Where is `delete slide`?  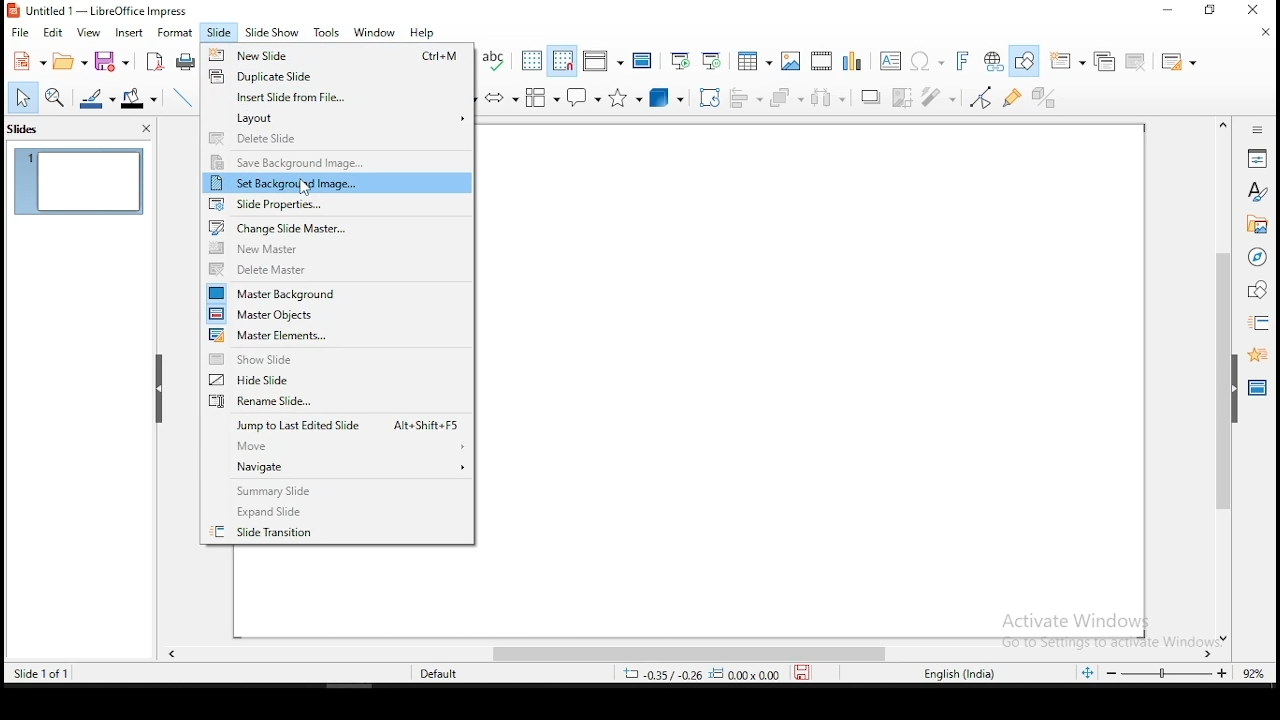 delete slide is located at coordinates (334, 138).